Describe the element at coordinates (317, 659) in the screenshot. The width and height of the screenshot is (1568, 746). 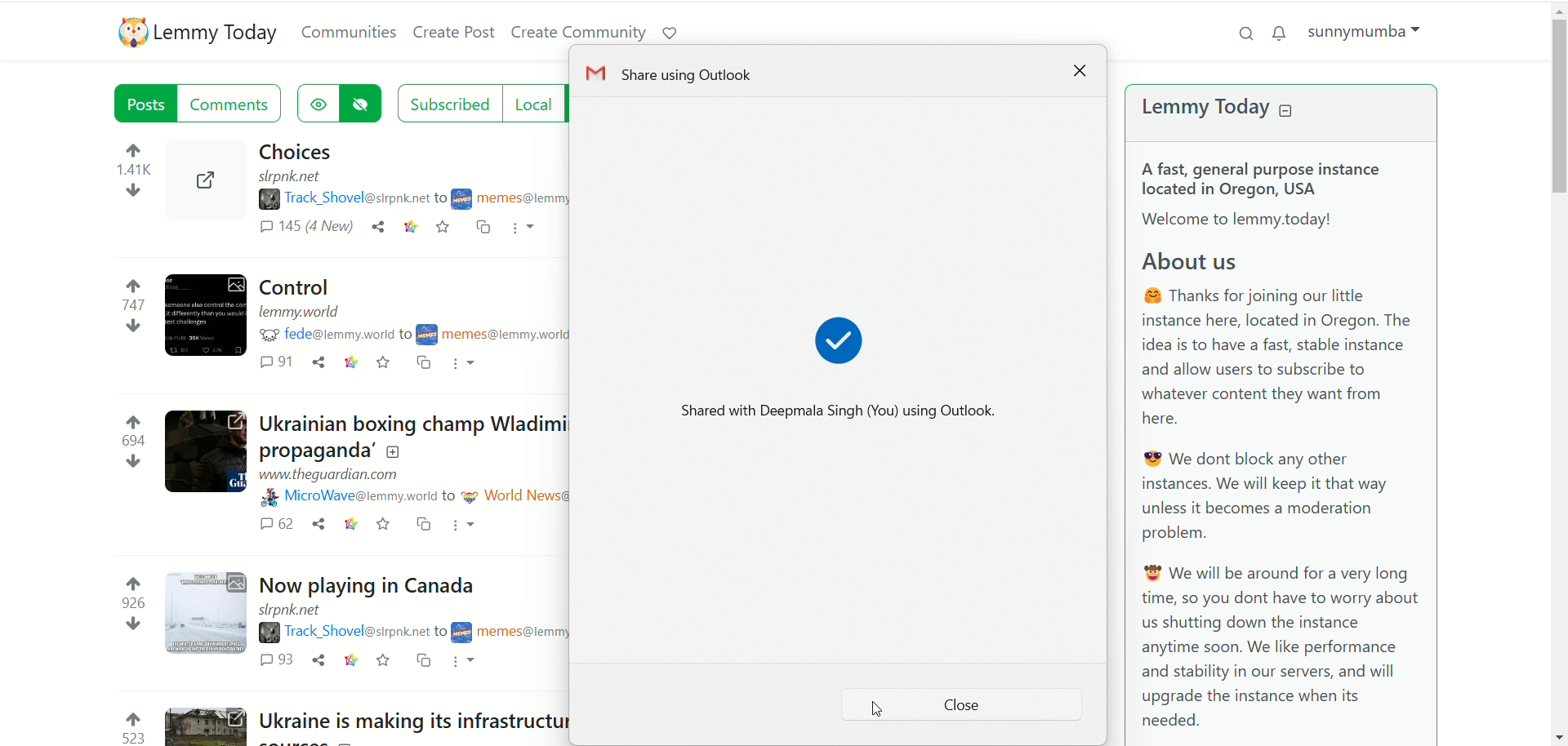
I see `share` at that location.